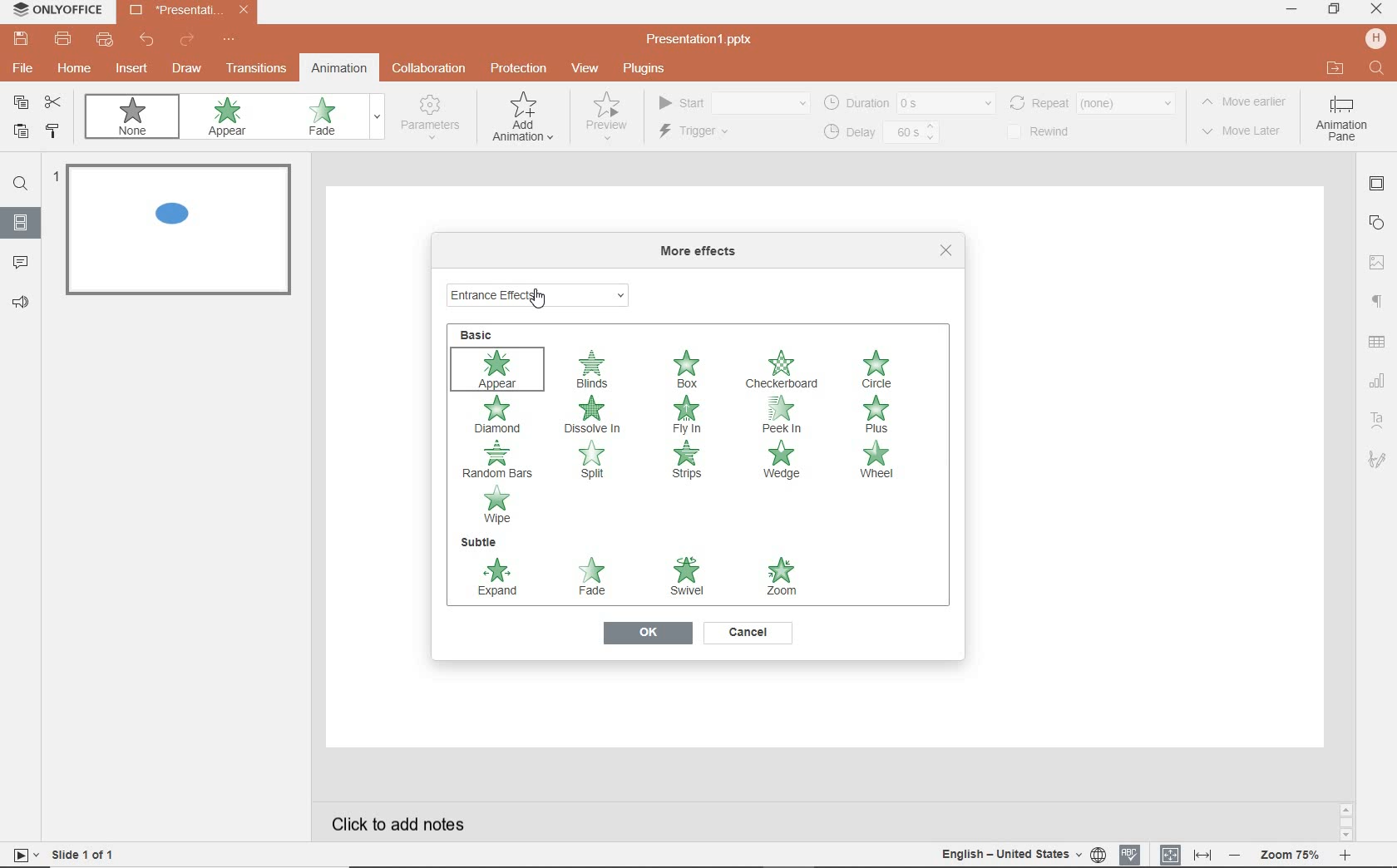 Image resolution: width=1397 pixels, height=868 pixels. What do you see at coordinates (1091, 101) in the screenshot?
I see `rewind` at bounding box center [1091, 101].